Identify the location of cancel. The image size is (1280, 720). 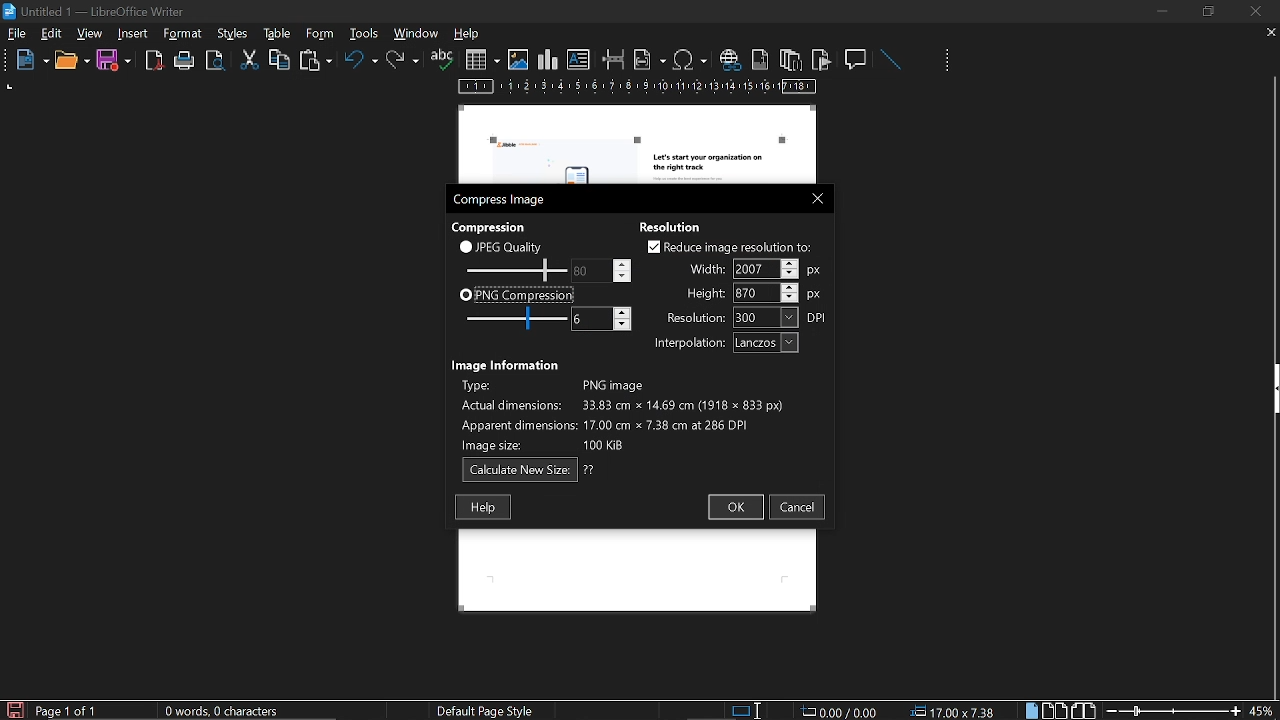
(798, 507).